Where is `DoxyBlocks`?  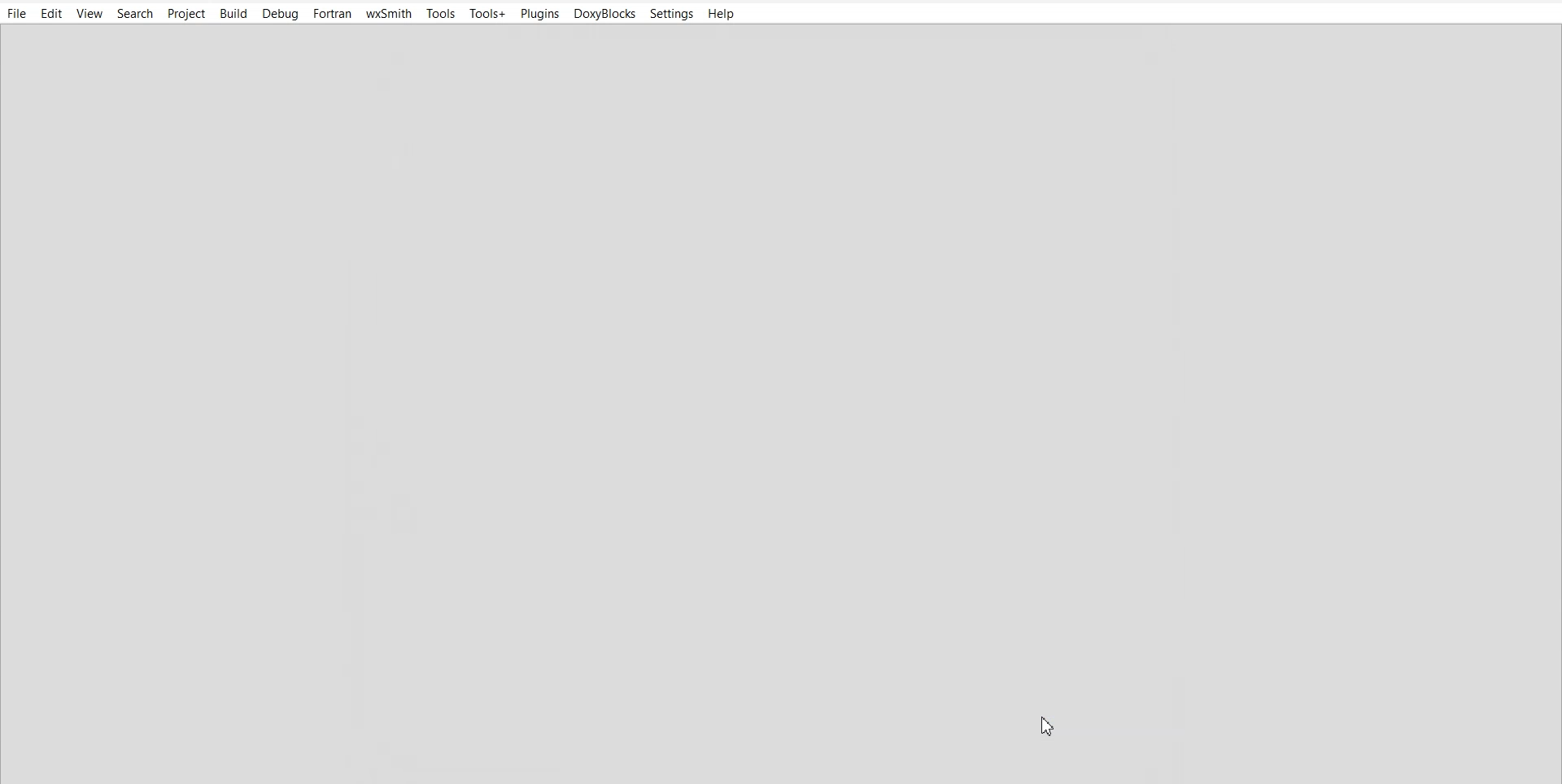 DoxyBlocks is located at coordinates (605, 14).